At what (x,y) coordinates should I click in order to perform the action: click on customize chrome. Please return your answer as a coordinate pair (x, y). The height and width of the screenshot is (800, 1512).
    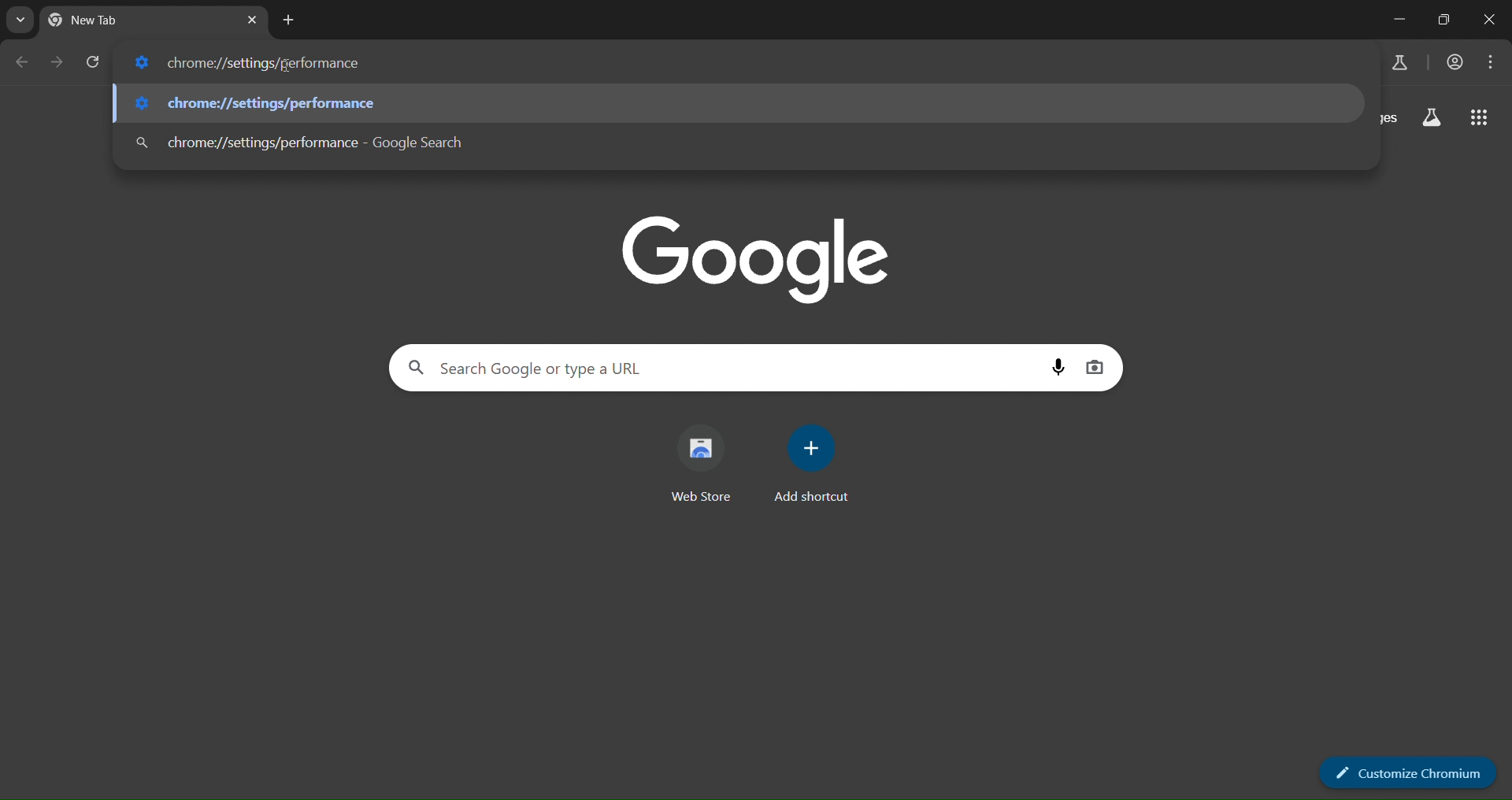
    Looking at the image, I should click on (1405, 768).